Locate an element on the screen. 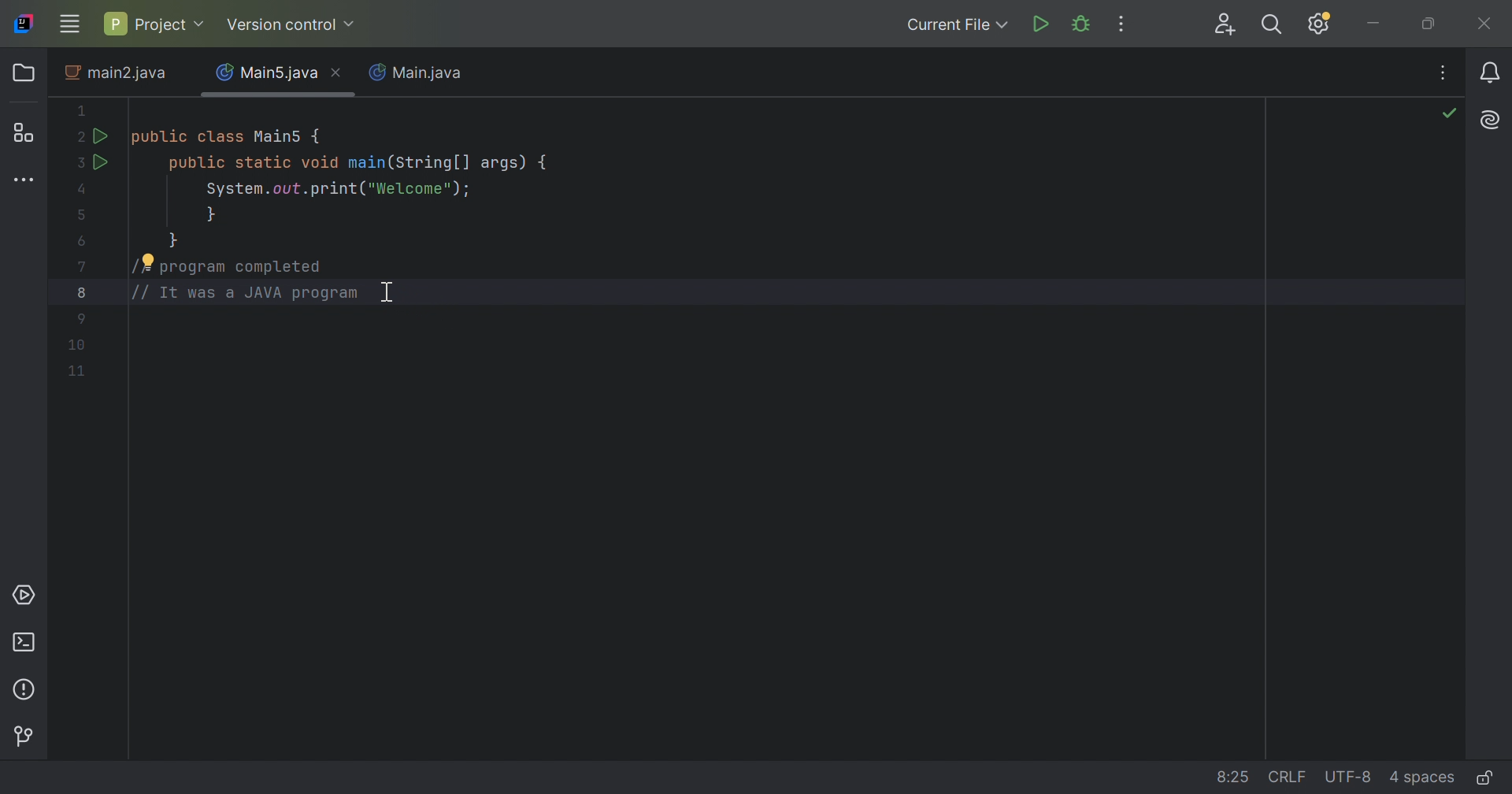 Image resolution: width=1512 pixels, height=794 pixels. 4 spaces(Indent) is located at coordinates (1422, 776).